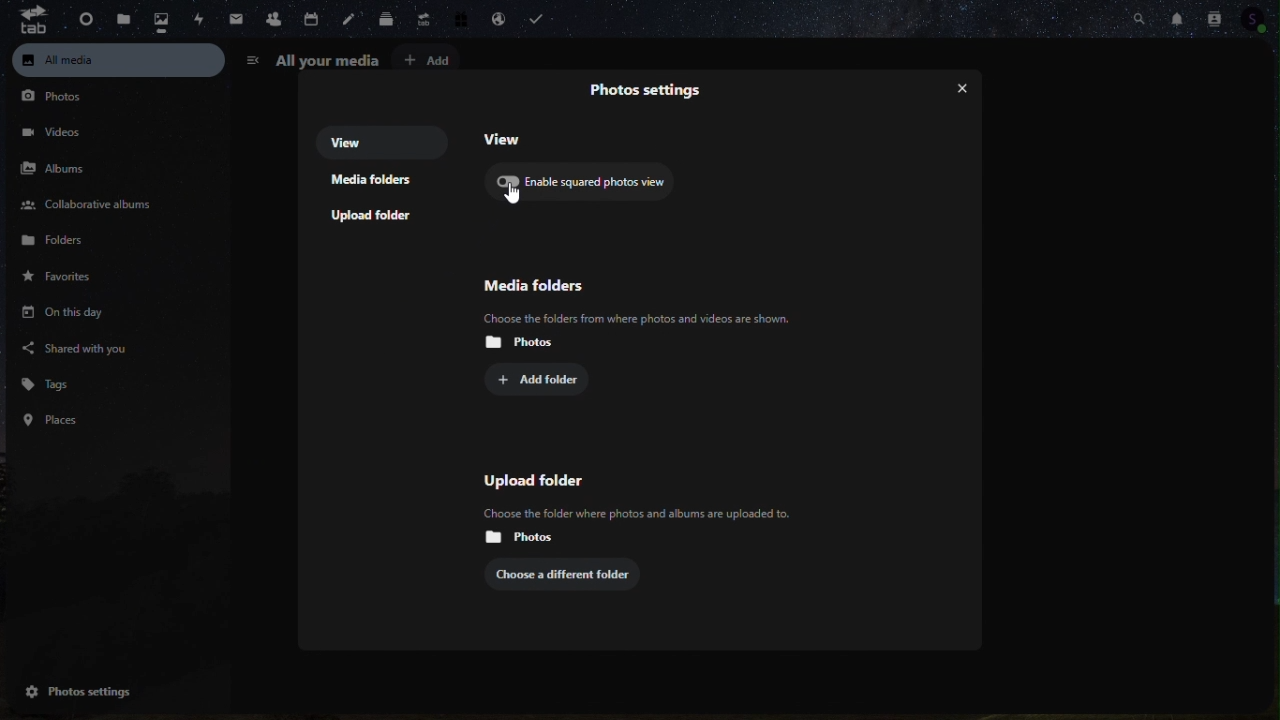  What do you see at coordinates (381, 181) in the screenshot?
I see `Media folders` at bounding box center [381, 181].